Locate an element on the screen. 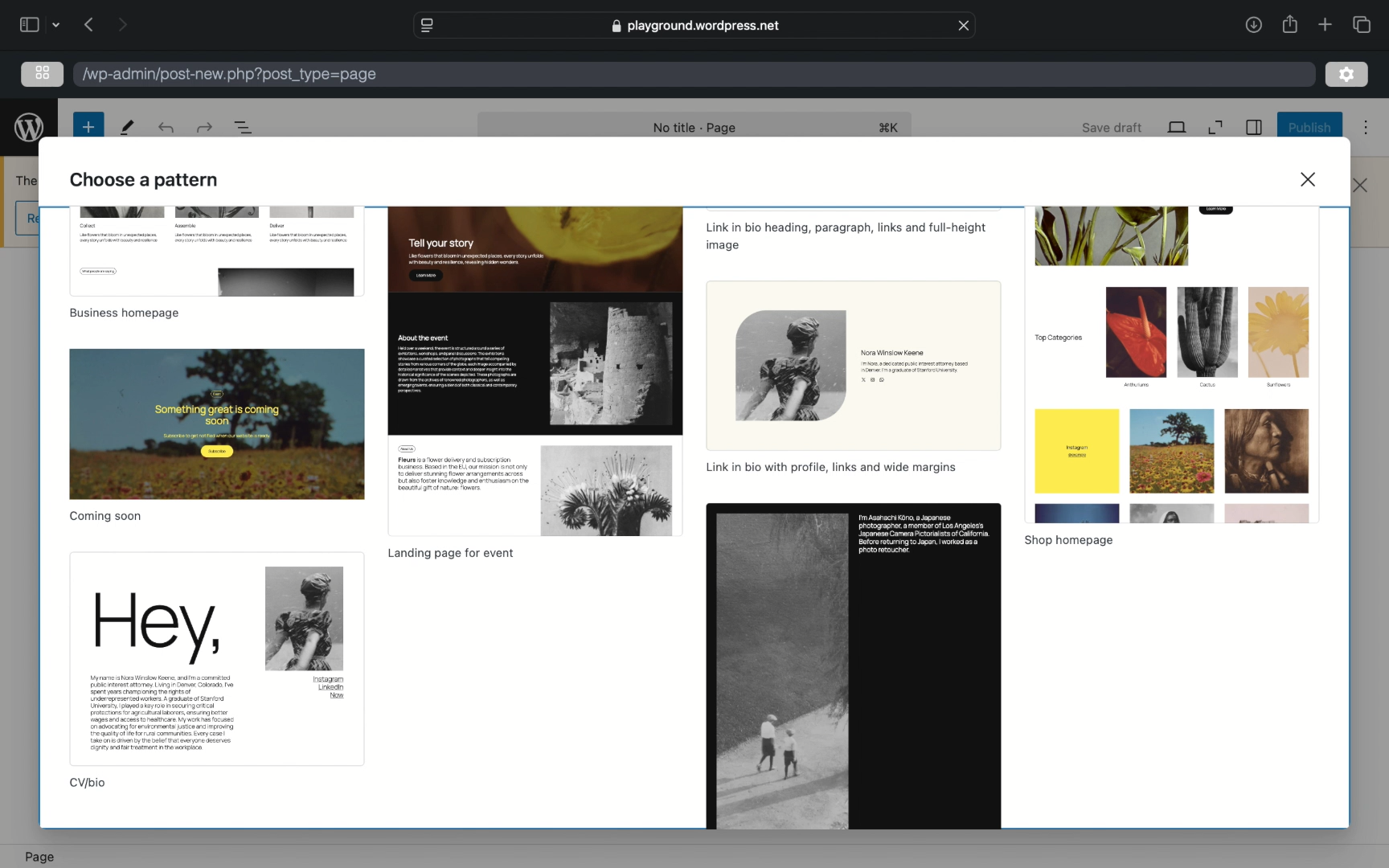 The width and height of the screenshot is (1389, 868). shortcut is located at coordinates (887, 127).